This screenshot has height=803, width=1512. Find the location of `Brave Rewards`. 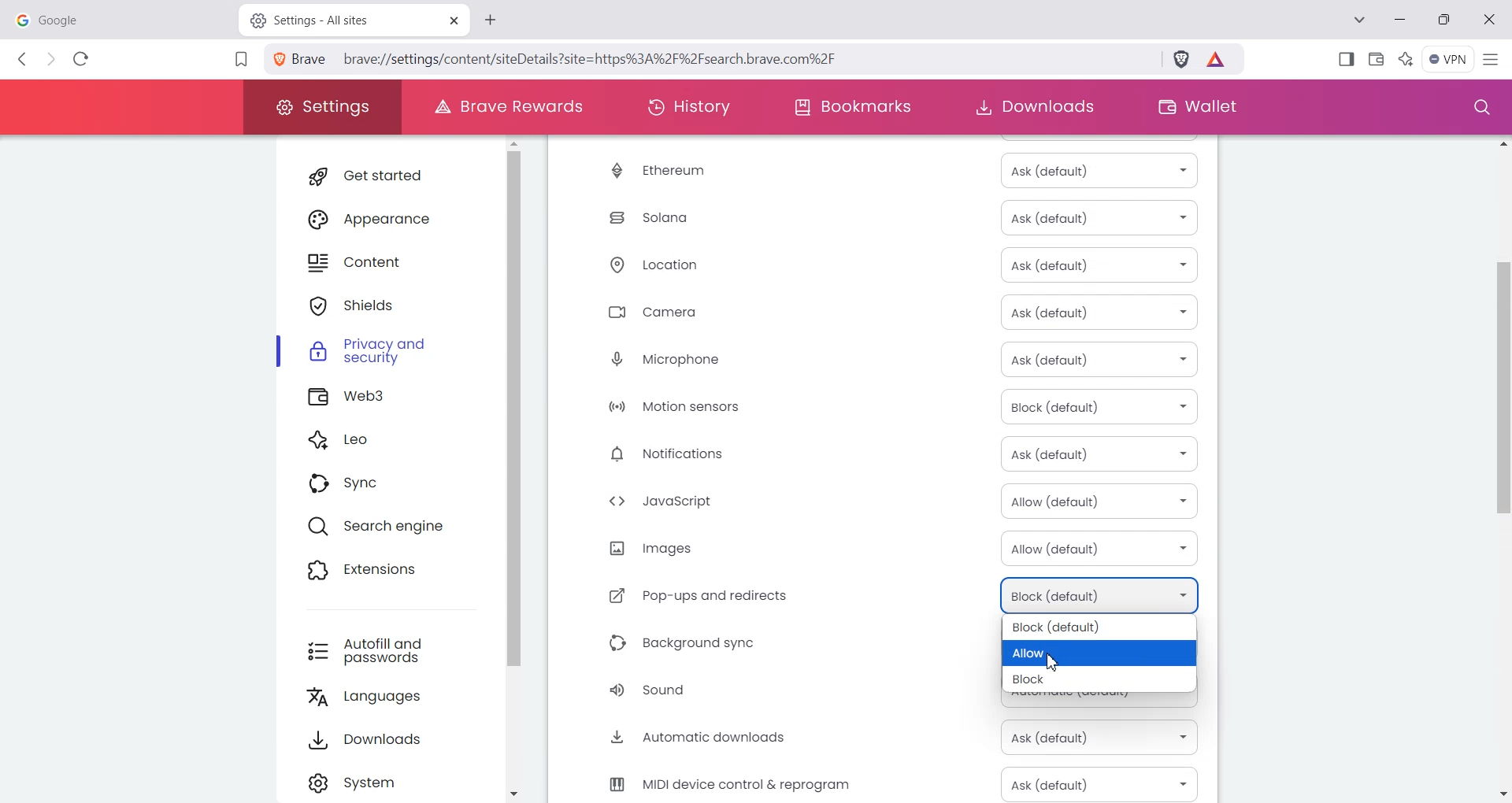

Brave Rewards is located at coordinates (504, 107).